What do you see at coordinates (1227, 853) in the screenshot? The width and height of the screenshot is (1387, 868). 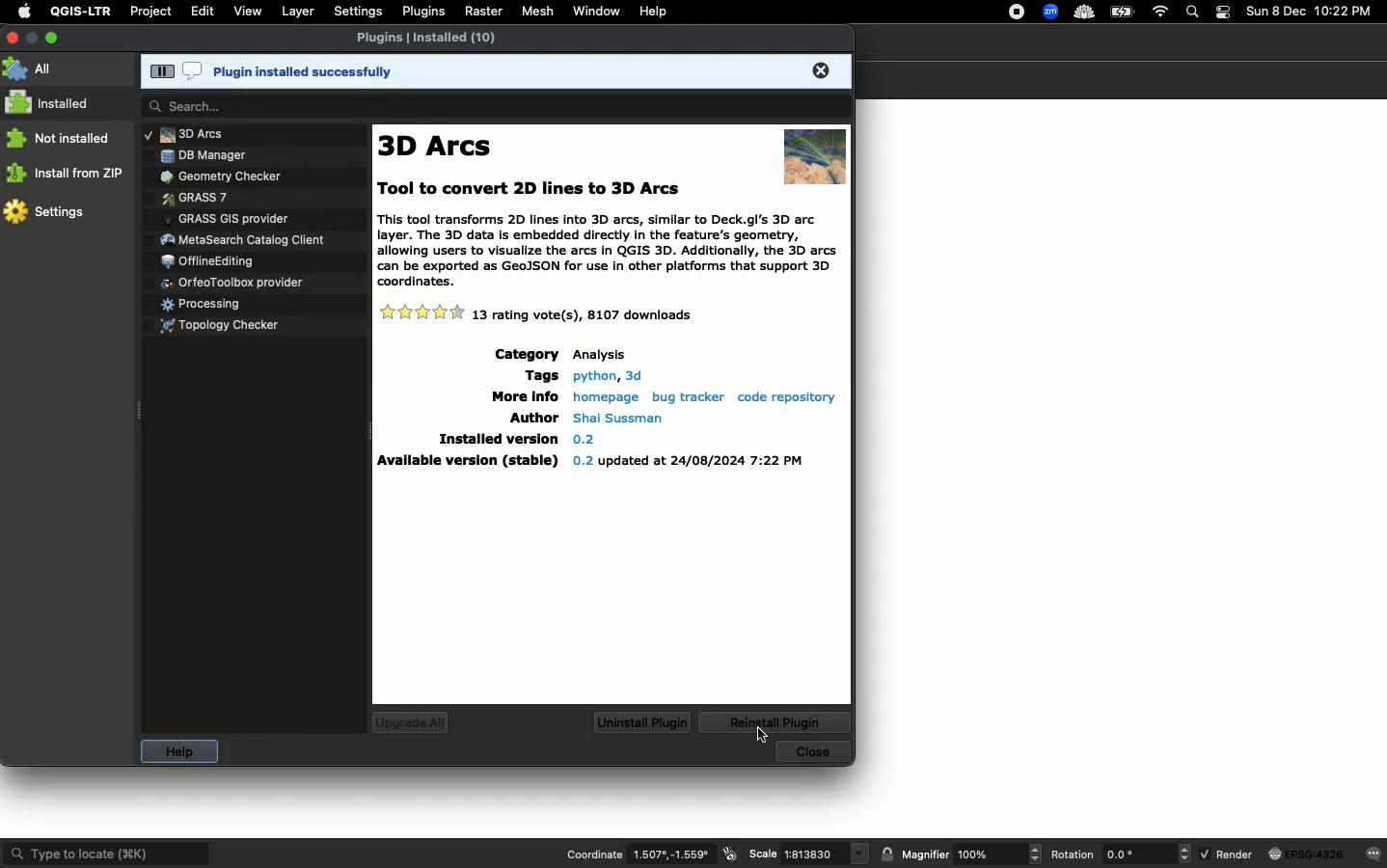 I see `Render` at bounding box center [1227, 853].